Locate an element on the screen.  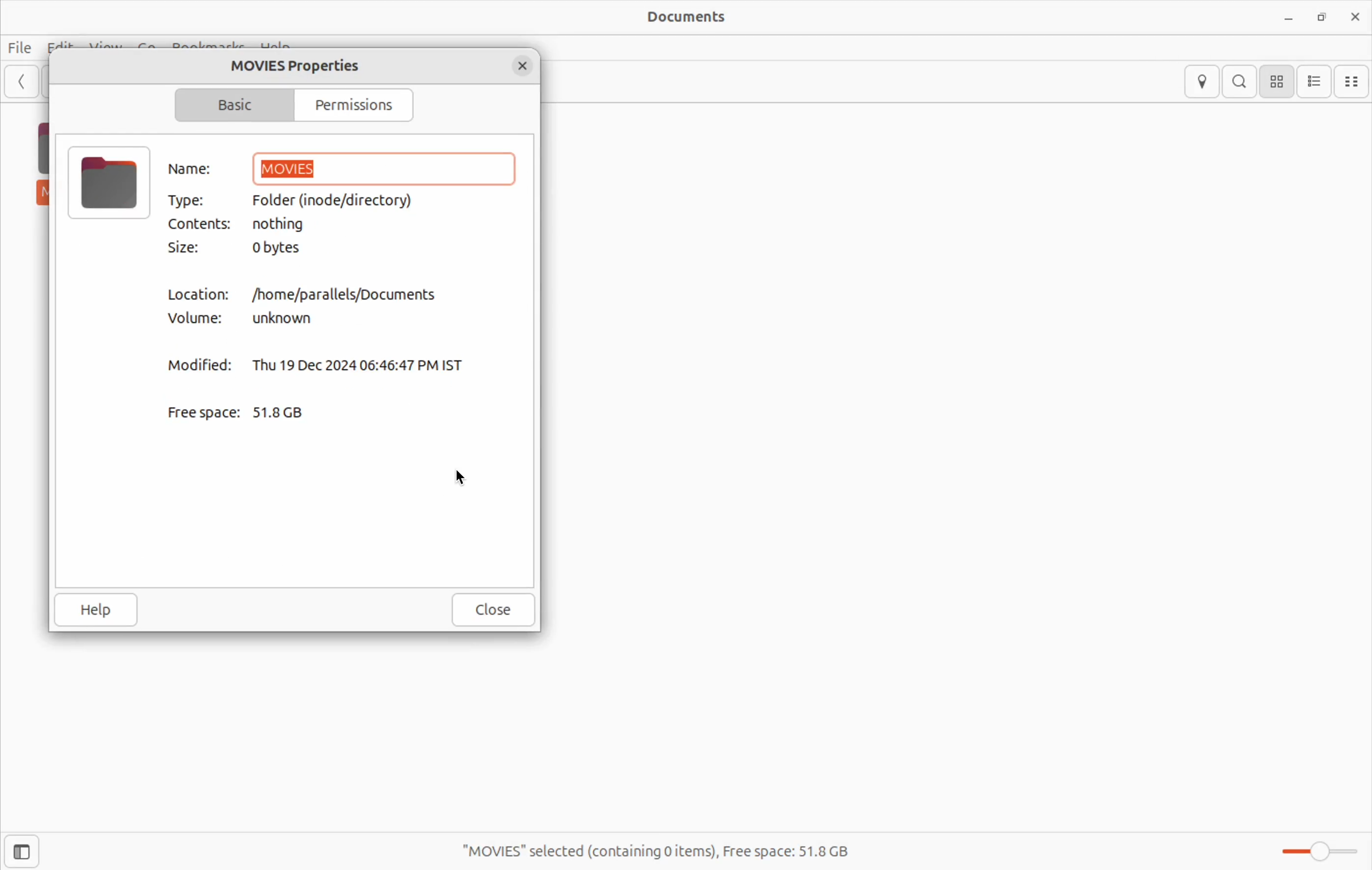
text box is located at coordinates (383, 168).